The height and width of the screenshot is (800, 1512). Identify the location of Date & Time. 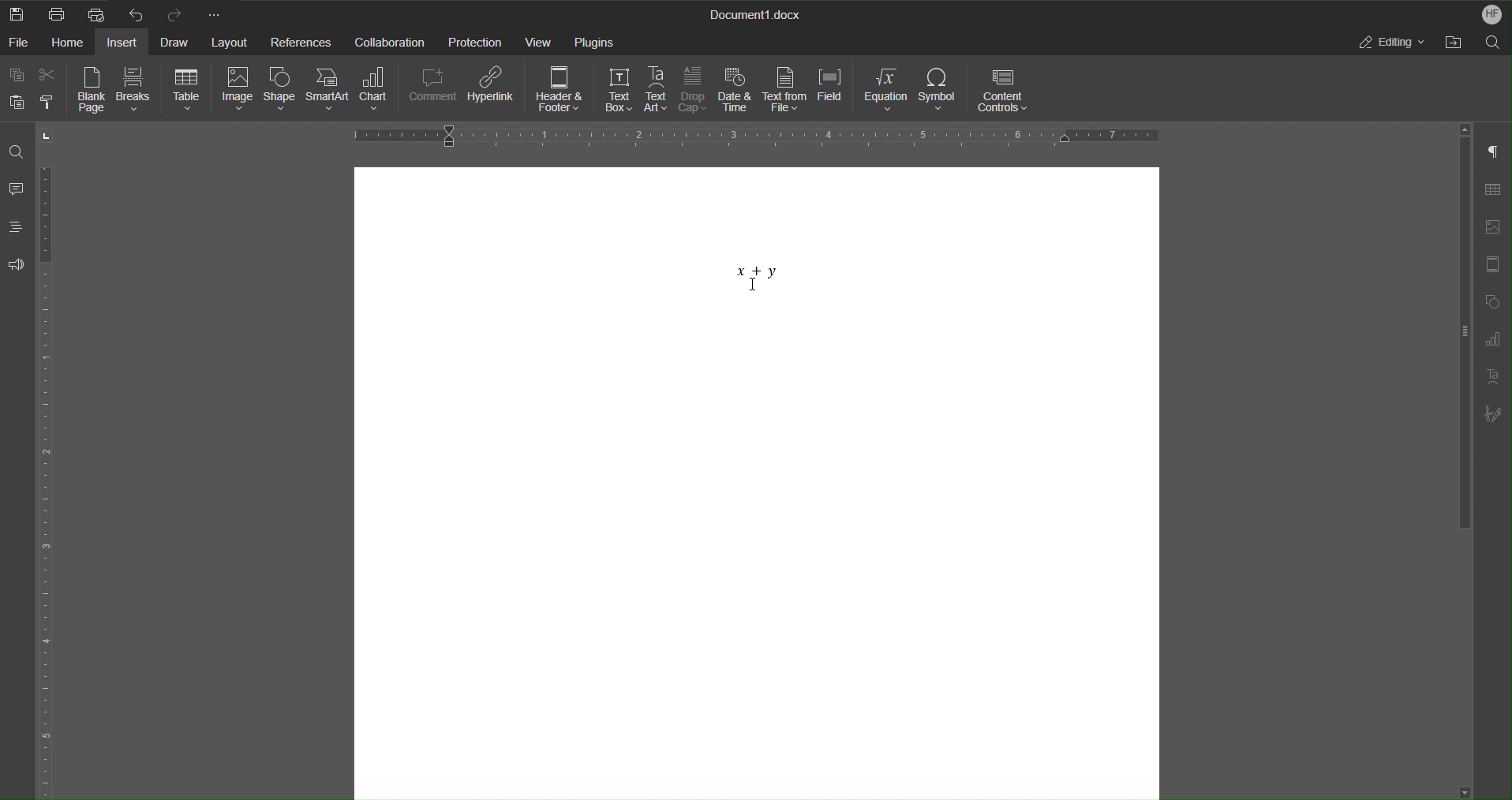
(738, 91).